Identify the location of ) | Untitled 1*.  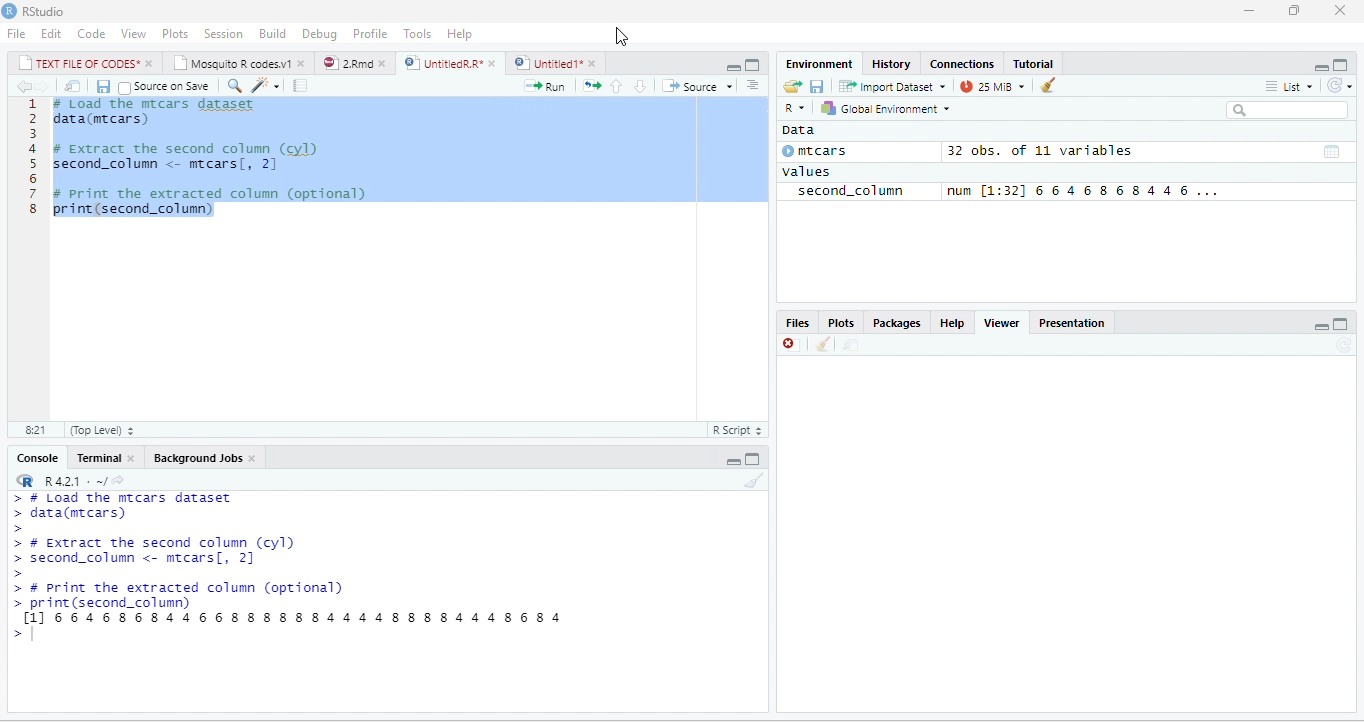
(547, 63).